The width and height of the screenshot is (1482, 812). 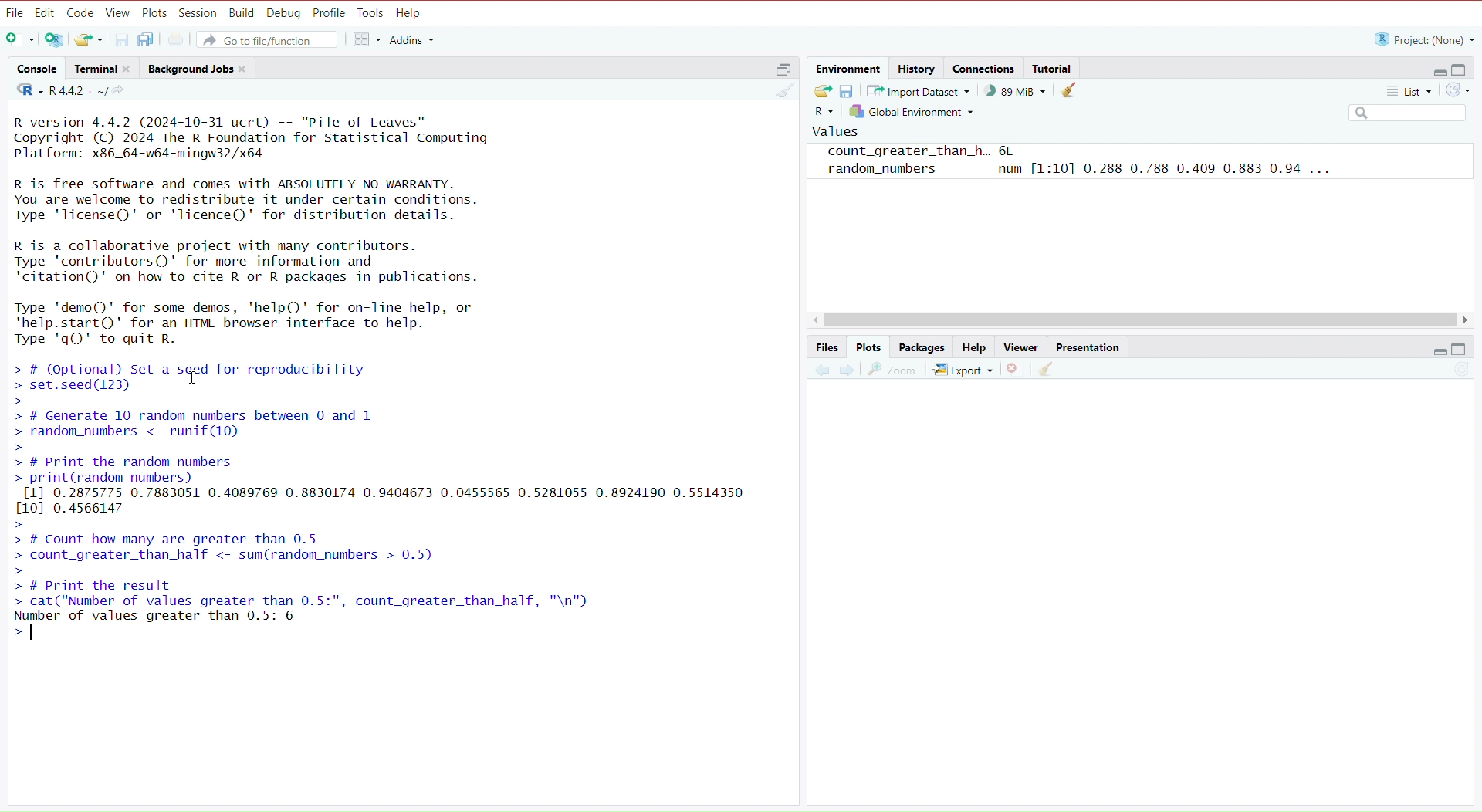 What do you see at coordinates (915, 90) in the screenshot?
I see `Import Dataset` at bounding box center [915, 90].